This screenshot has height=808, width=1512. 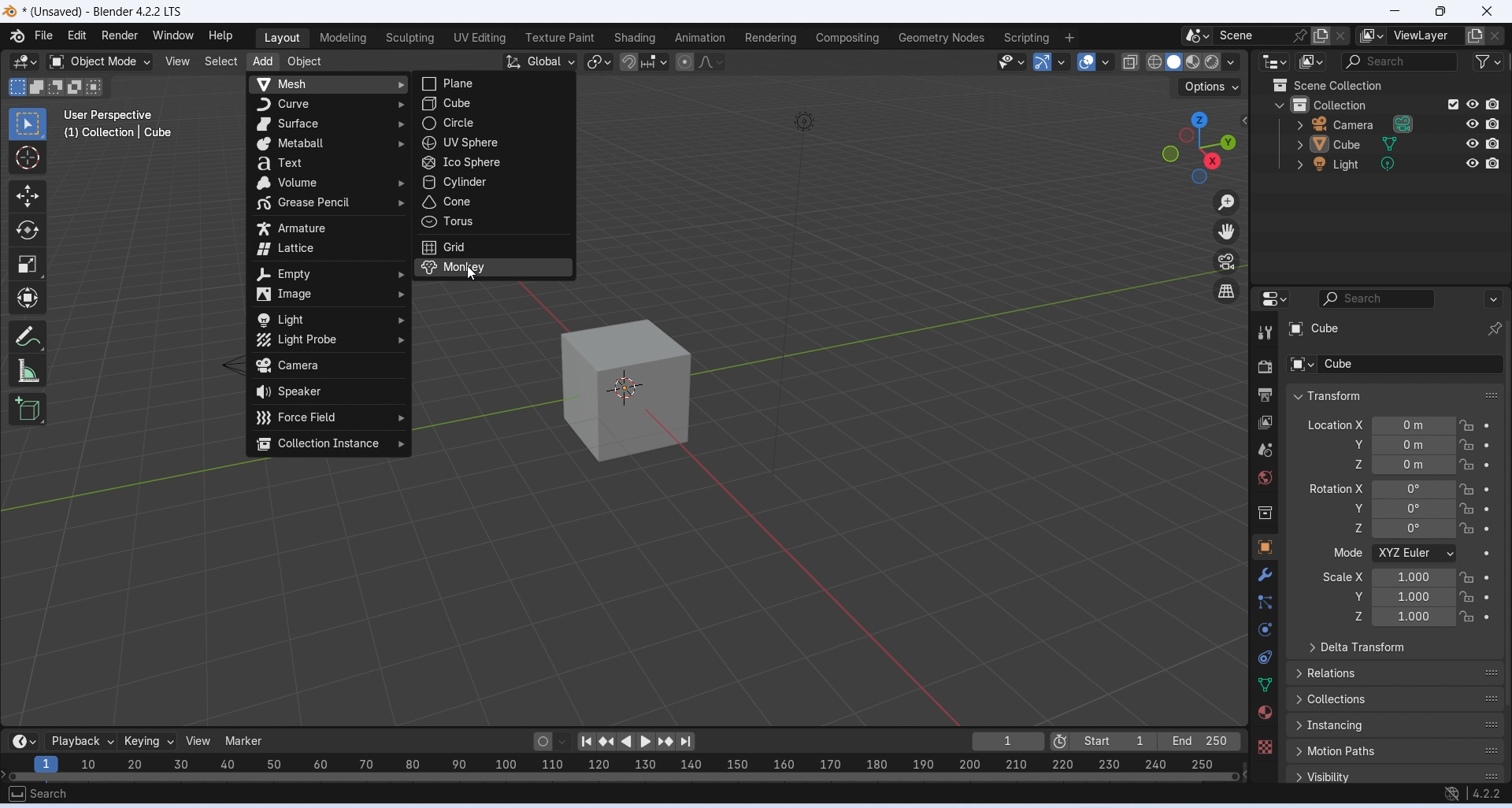 What do you see at coordinates (50, 794) in the screenshot?
I see `Search` at bounding box center [50, 794].